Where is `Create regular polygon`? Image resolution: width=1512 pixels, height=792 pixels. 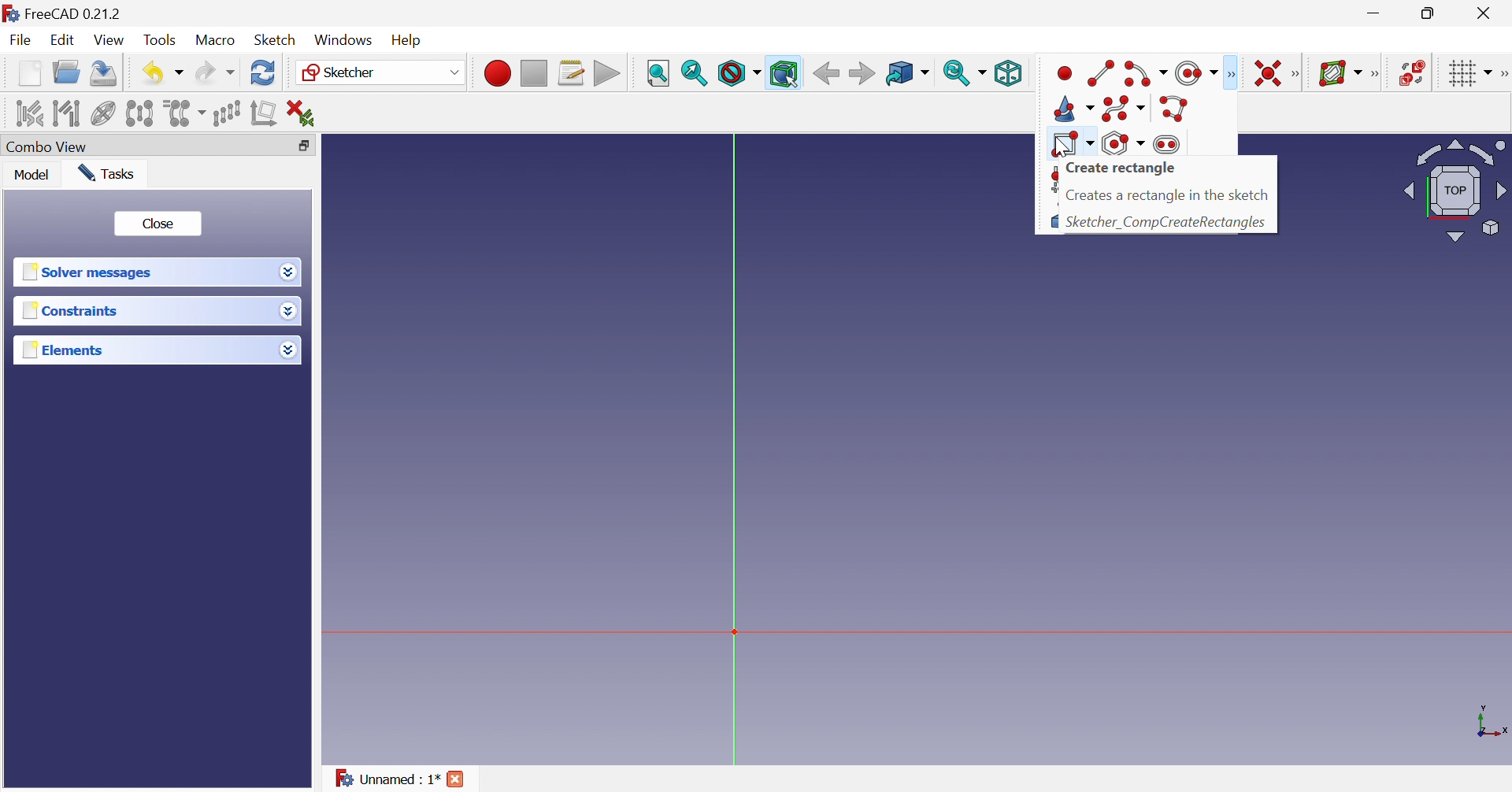
Create regular polygon is located at coordinates (1123, 142).